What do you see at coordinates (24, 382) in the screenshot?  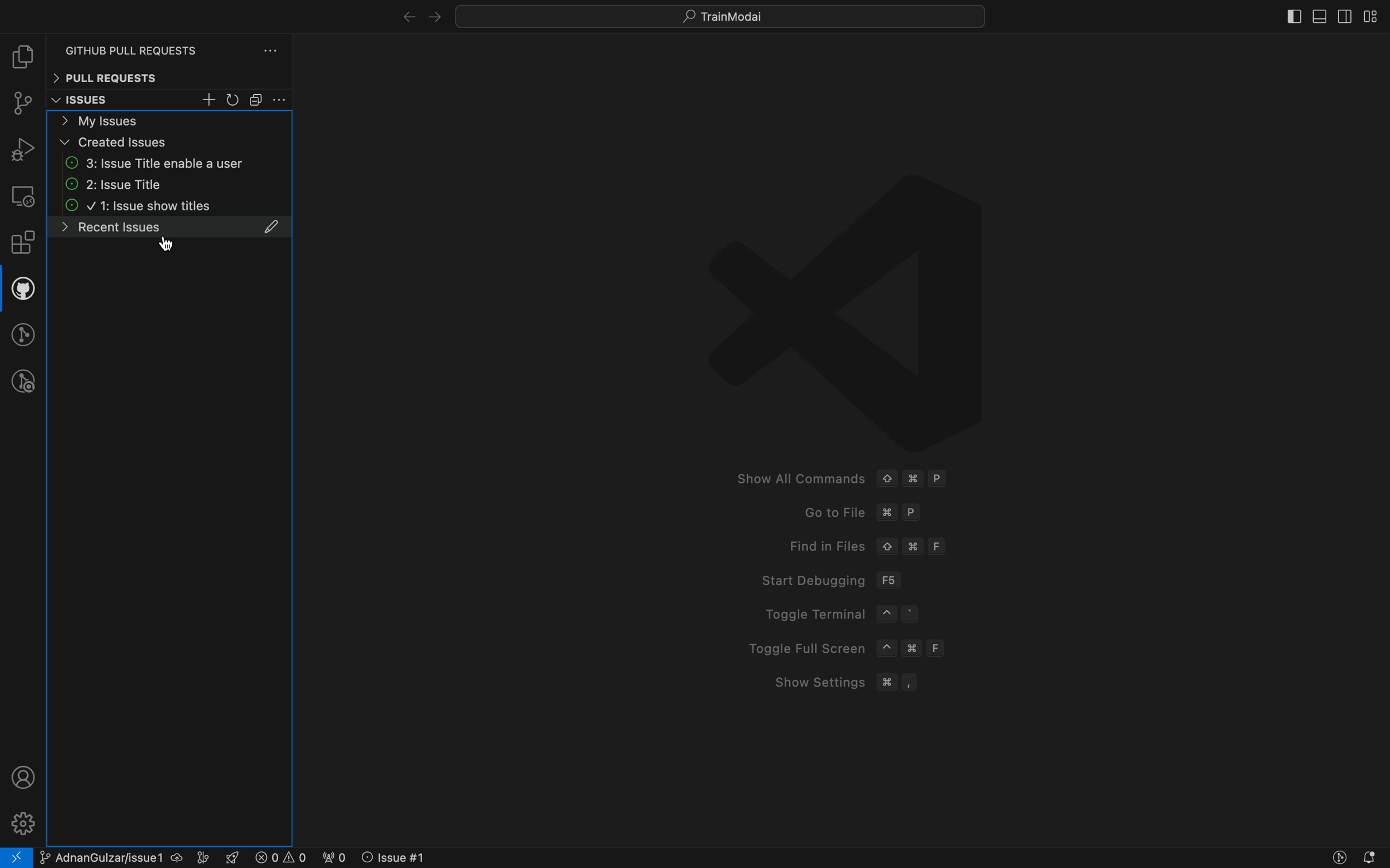 I see `git lens inspect ` at bounding box center [24, 382].